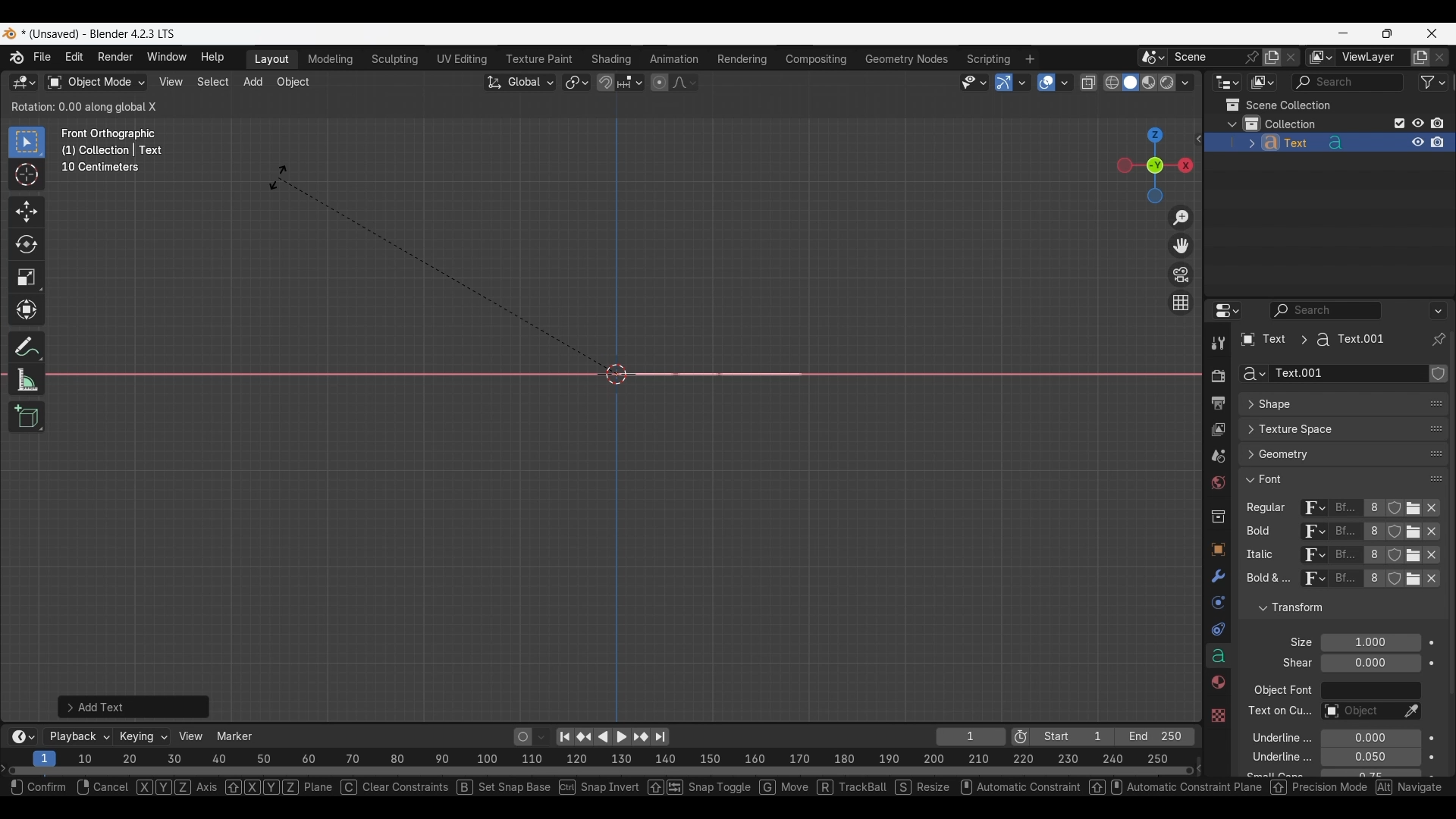 This screenshot has height=819, width=1456. Describe the element at coordinates (396, 789) in the screenshot. I see `clear constraints` at that location.